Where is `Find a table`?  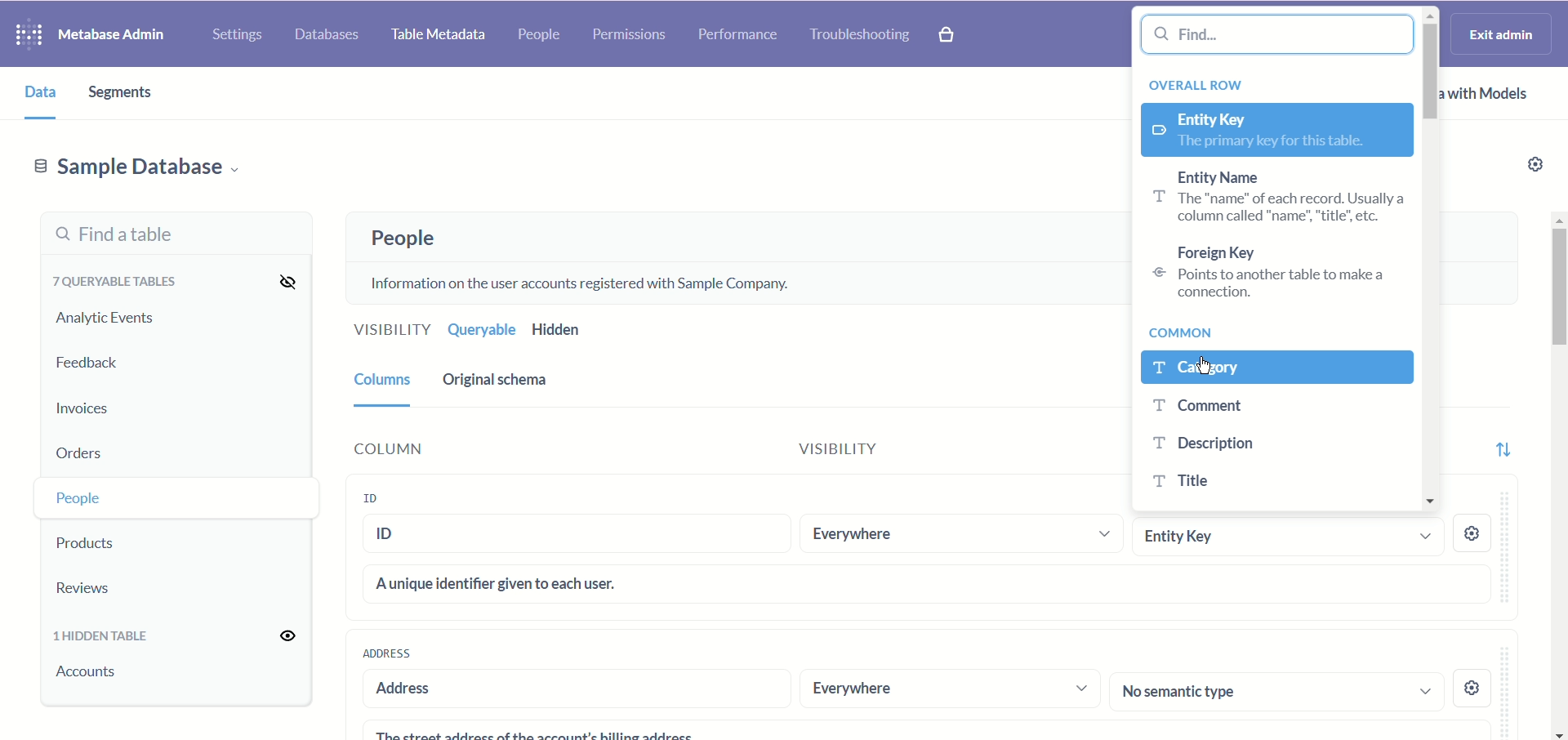
Find a table is located at coordinates (172, 234).